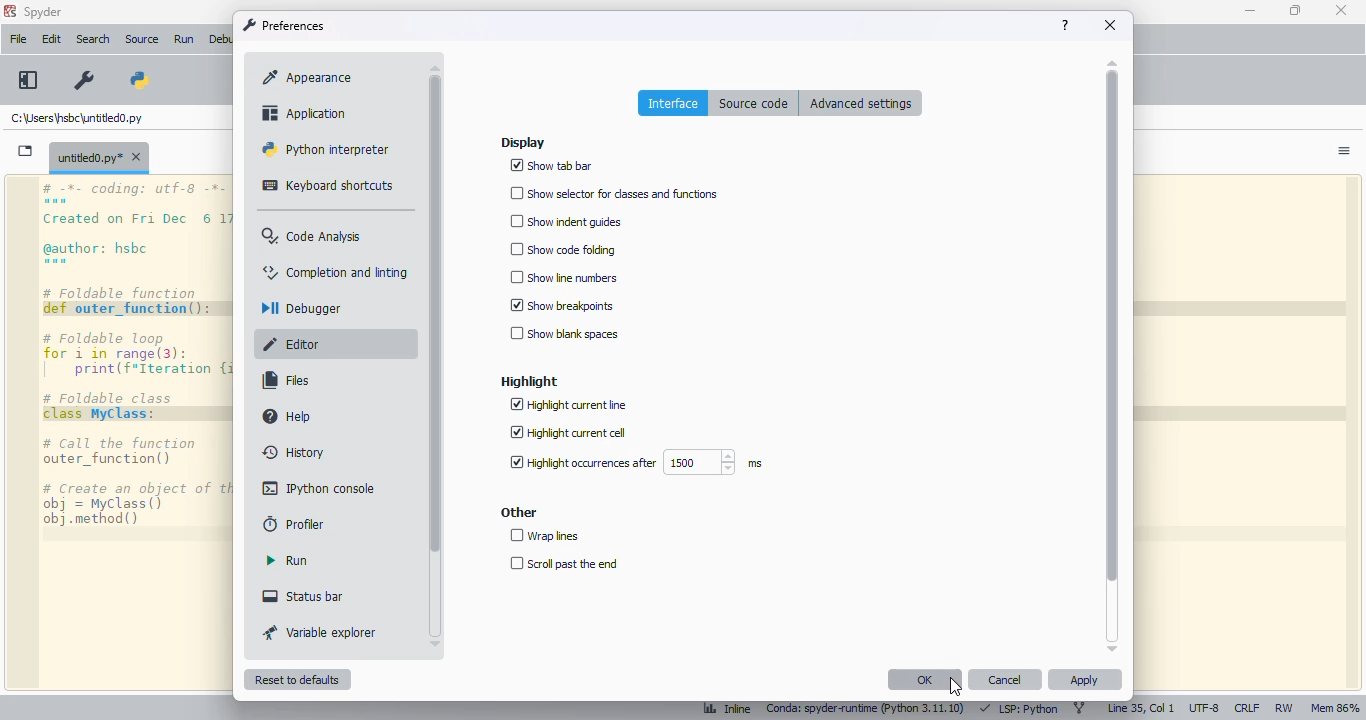  What do you see at coordinates (1296, 10) in the screenshot?
I see `maximize` at bounding box center [1296, 10].